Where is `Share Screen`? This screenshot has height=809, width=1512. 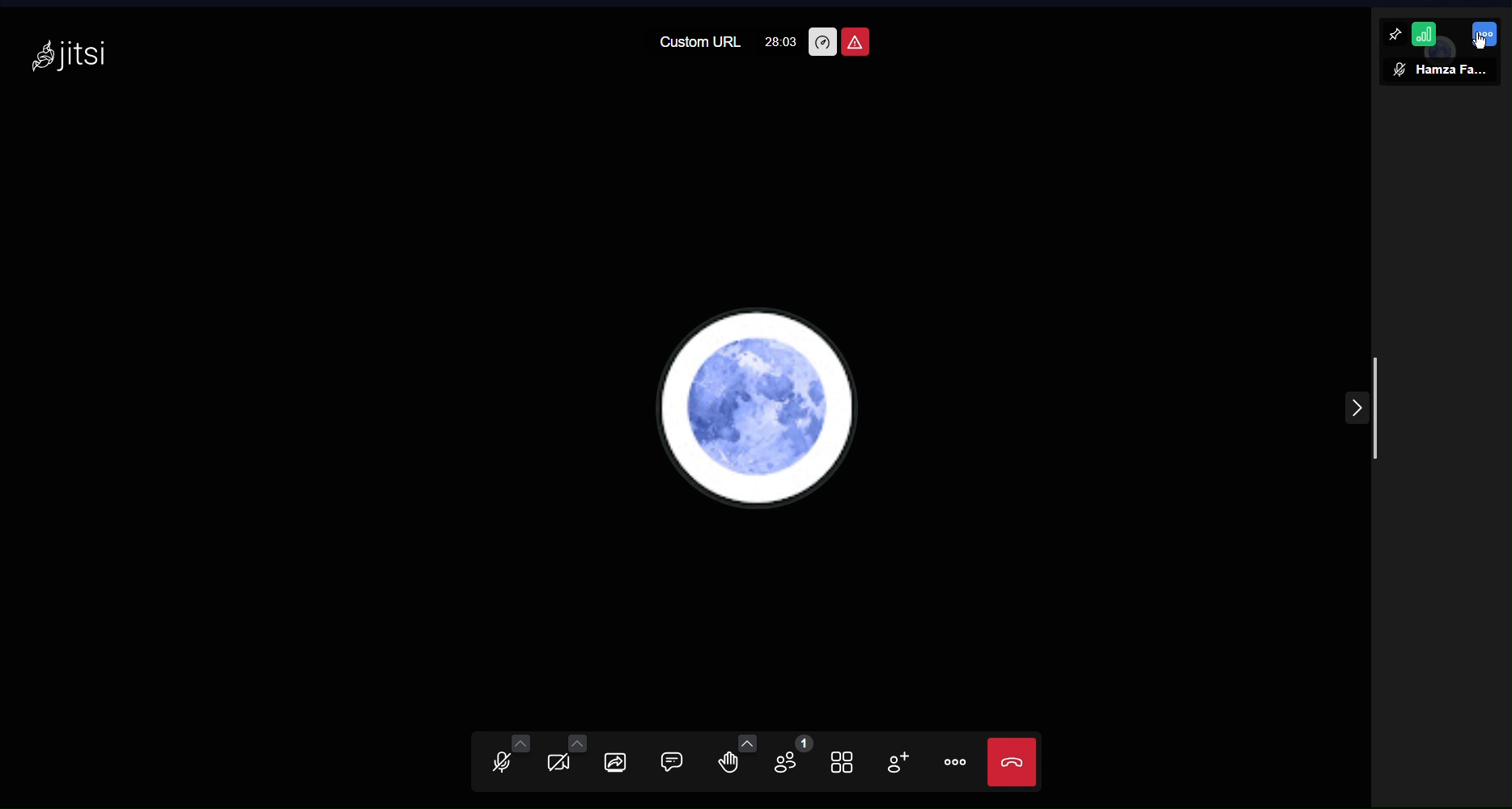 Share Screen is located at coordinates (623, 759).